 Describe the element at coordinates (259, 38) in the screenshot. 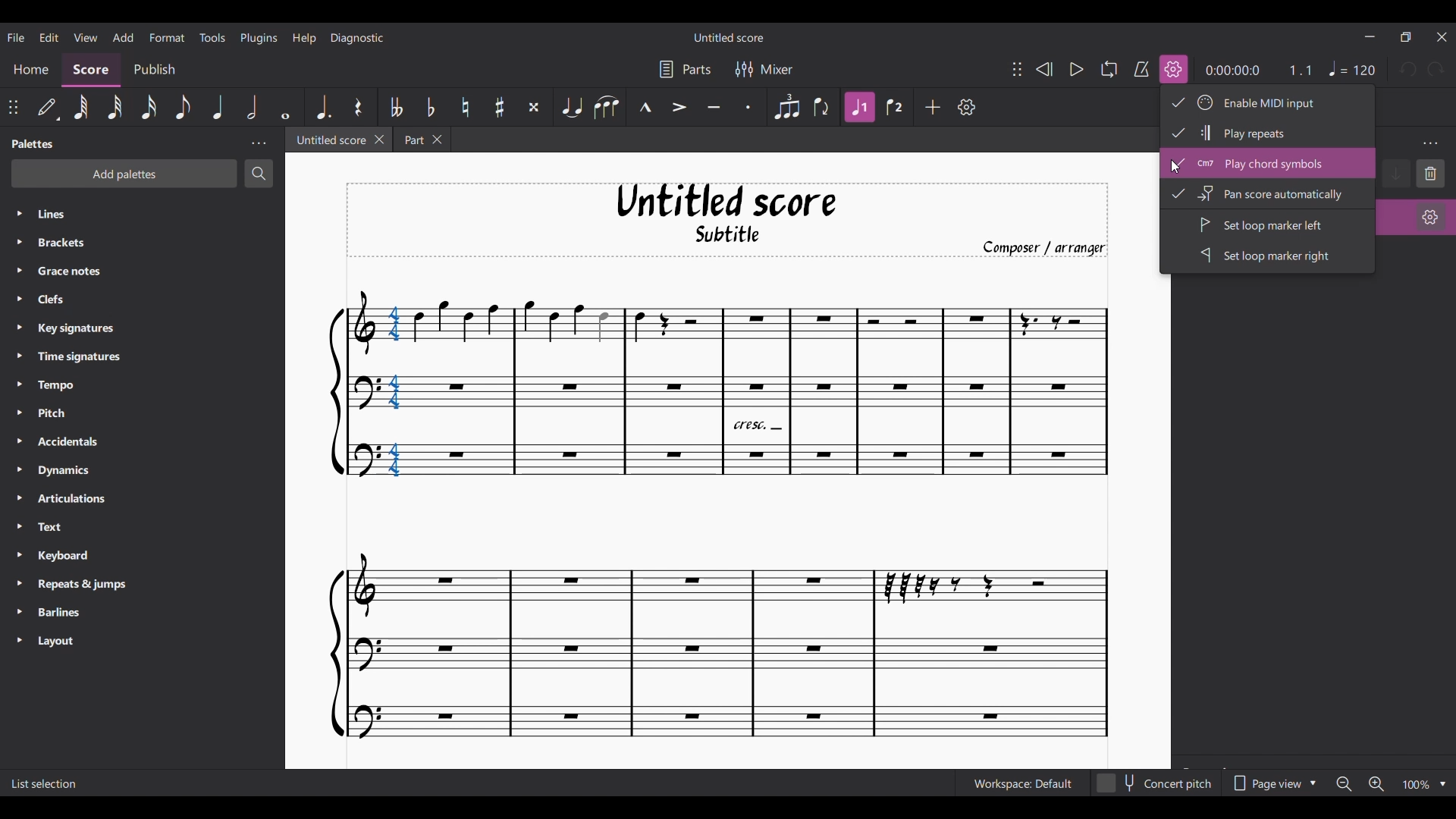

I see `Plugins menu` at that location.